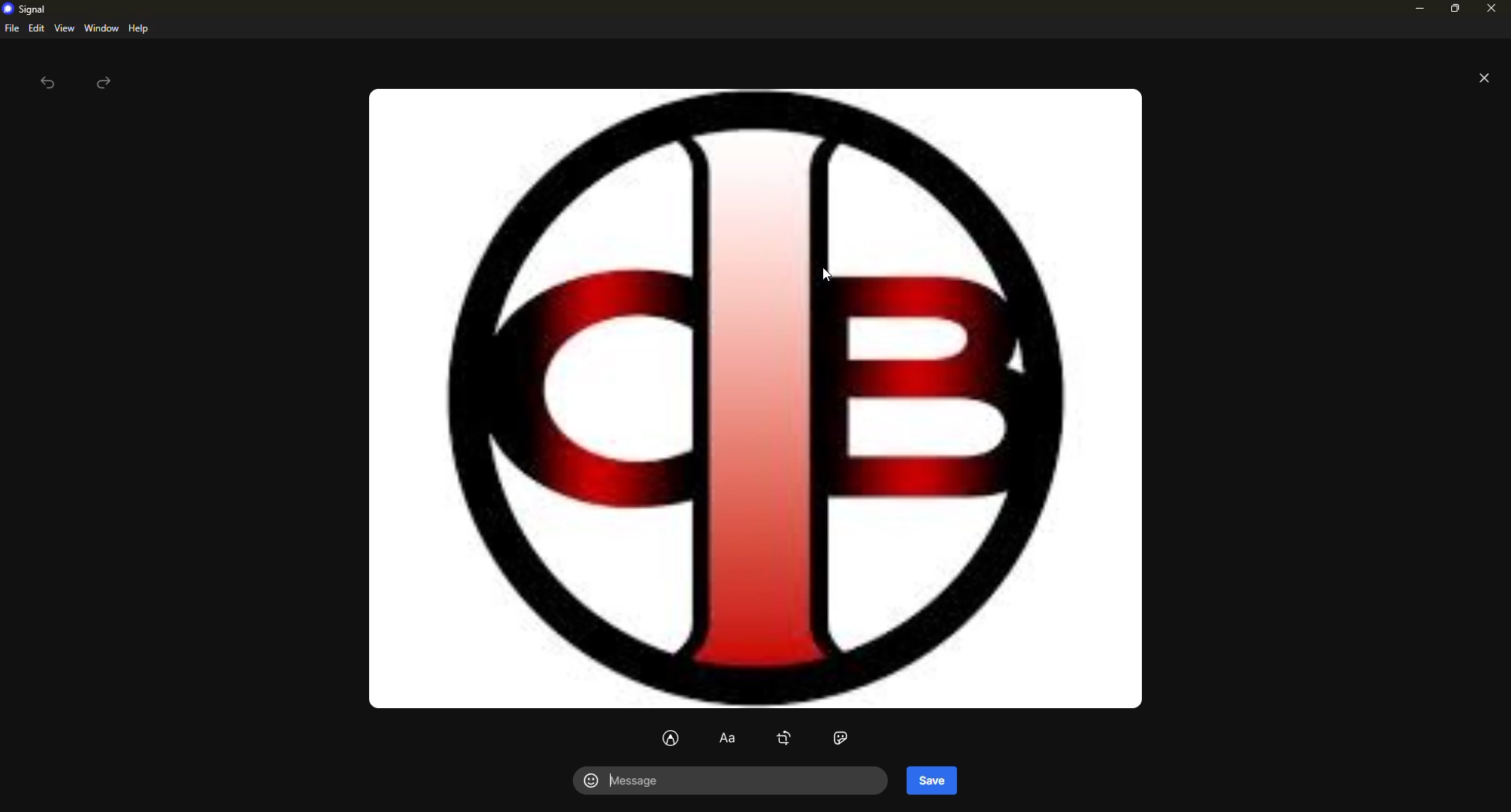  Describe the element at coordinates (138, 28) in the screenshot. I see `help` at that location.